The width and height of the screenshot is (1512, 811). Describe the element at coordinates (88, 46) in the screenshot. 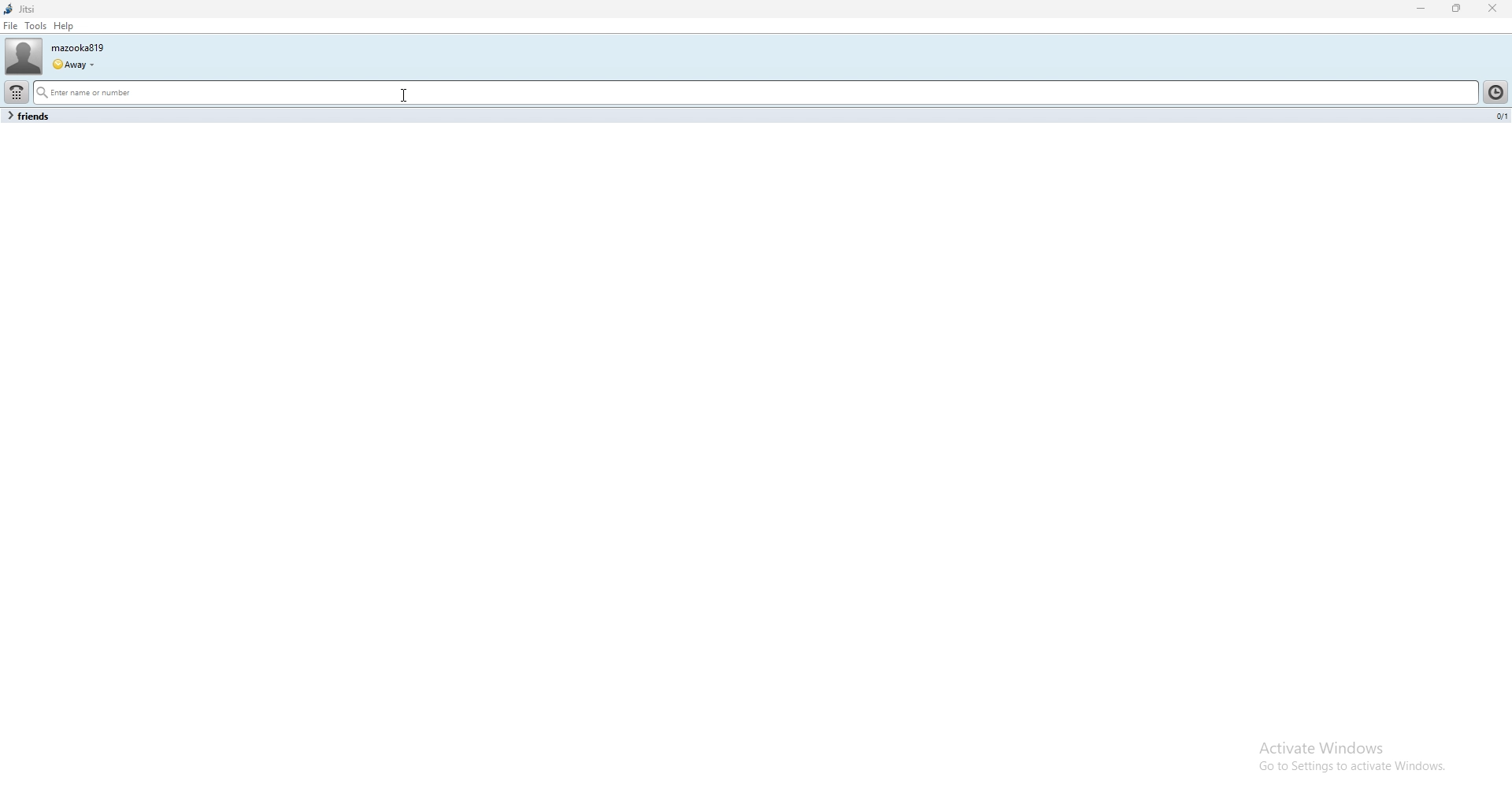

I see `mazooka819` at that location.